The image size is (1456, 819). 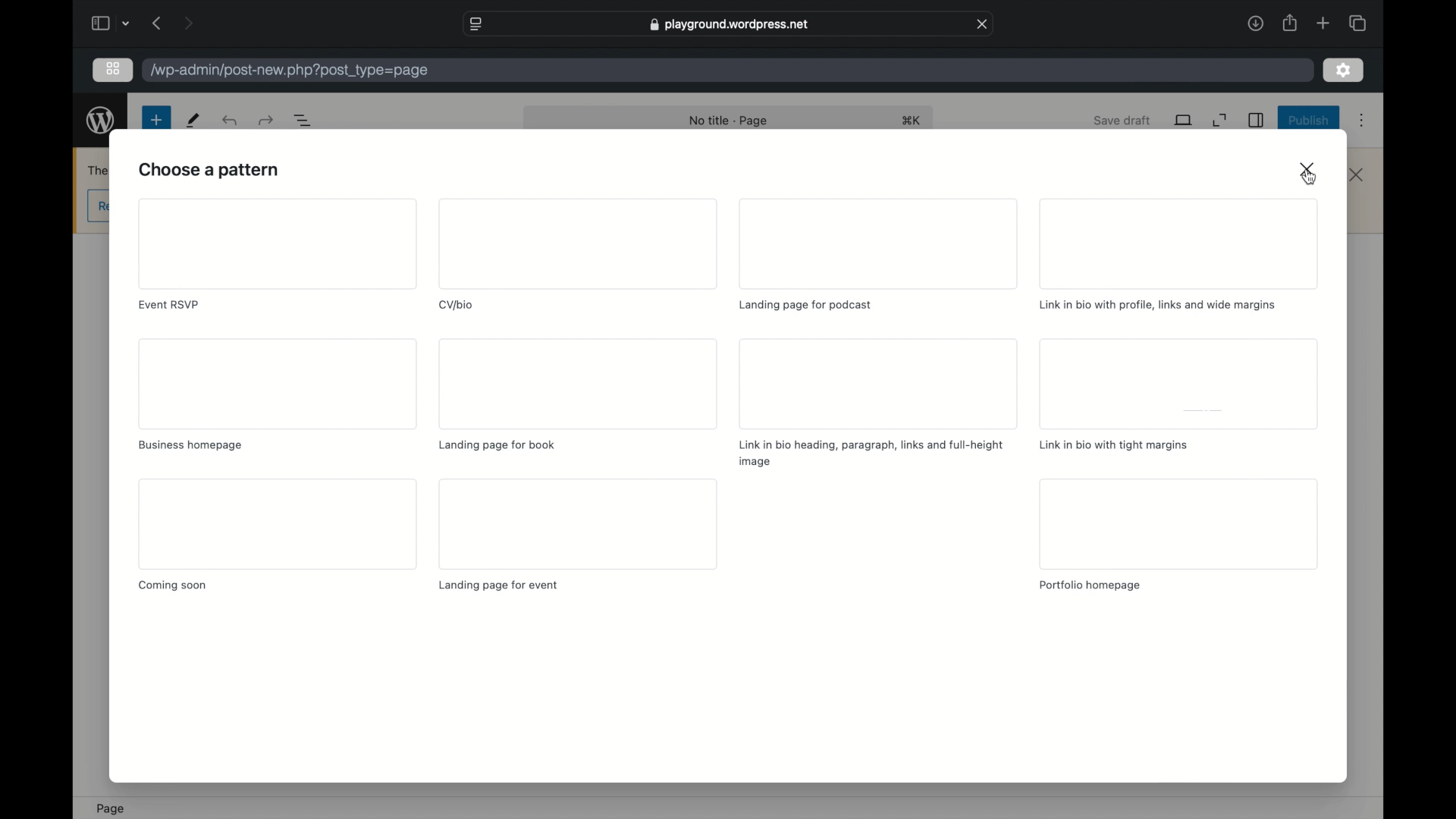 What do you see at coordinates (113, 69) in the screenshot?
I see `grid view` at bounding box center [113, 69].